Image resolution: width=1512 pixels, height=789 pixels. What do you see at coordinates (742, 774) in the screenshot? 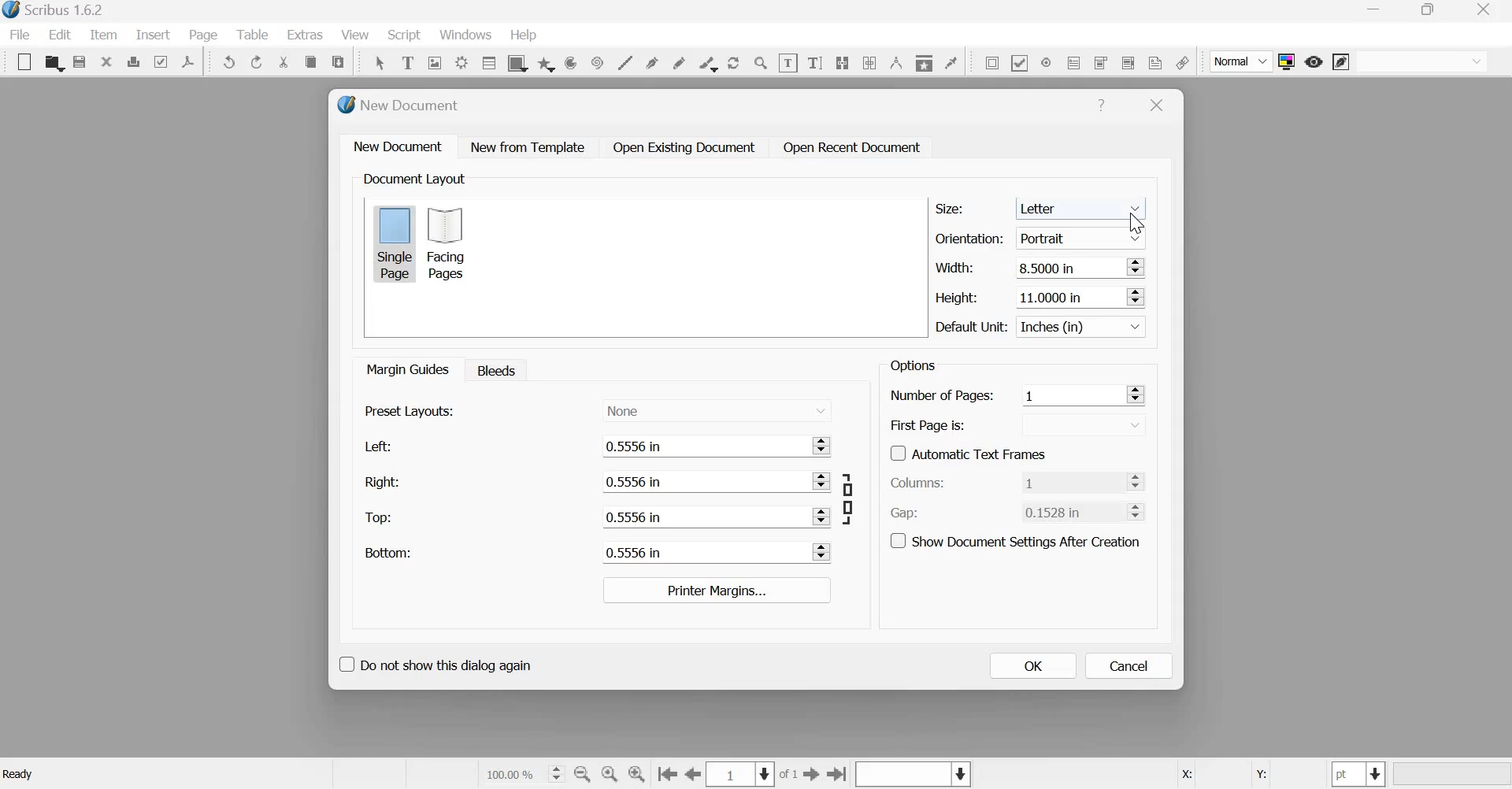
I see `Select the current page` at bounding box center [742, 774].